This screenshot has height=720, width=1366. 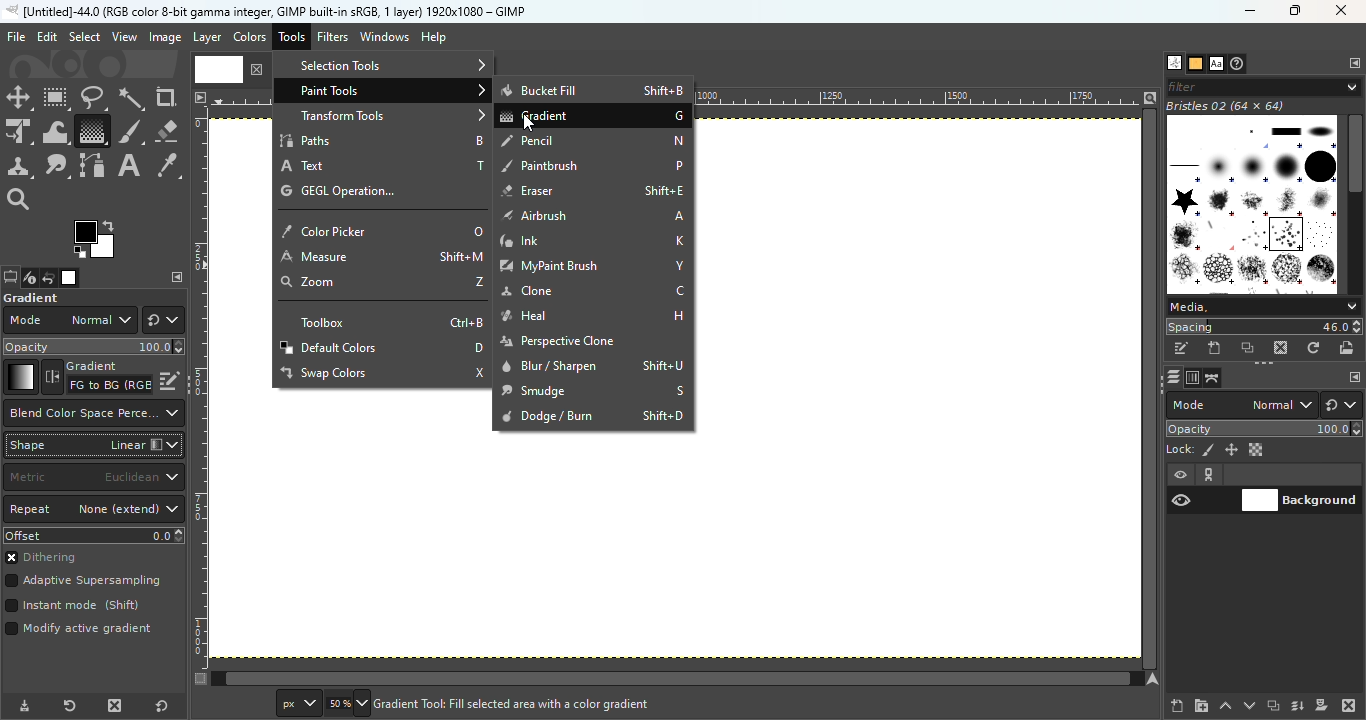 I want to click on Save tool preset, so click(x=22, y=707).